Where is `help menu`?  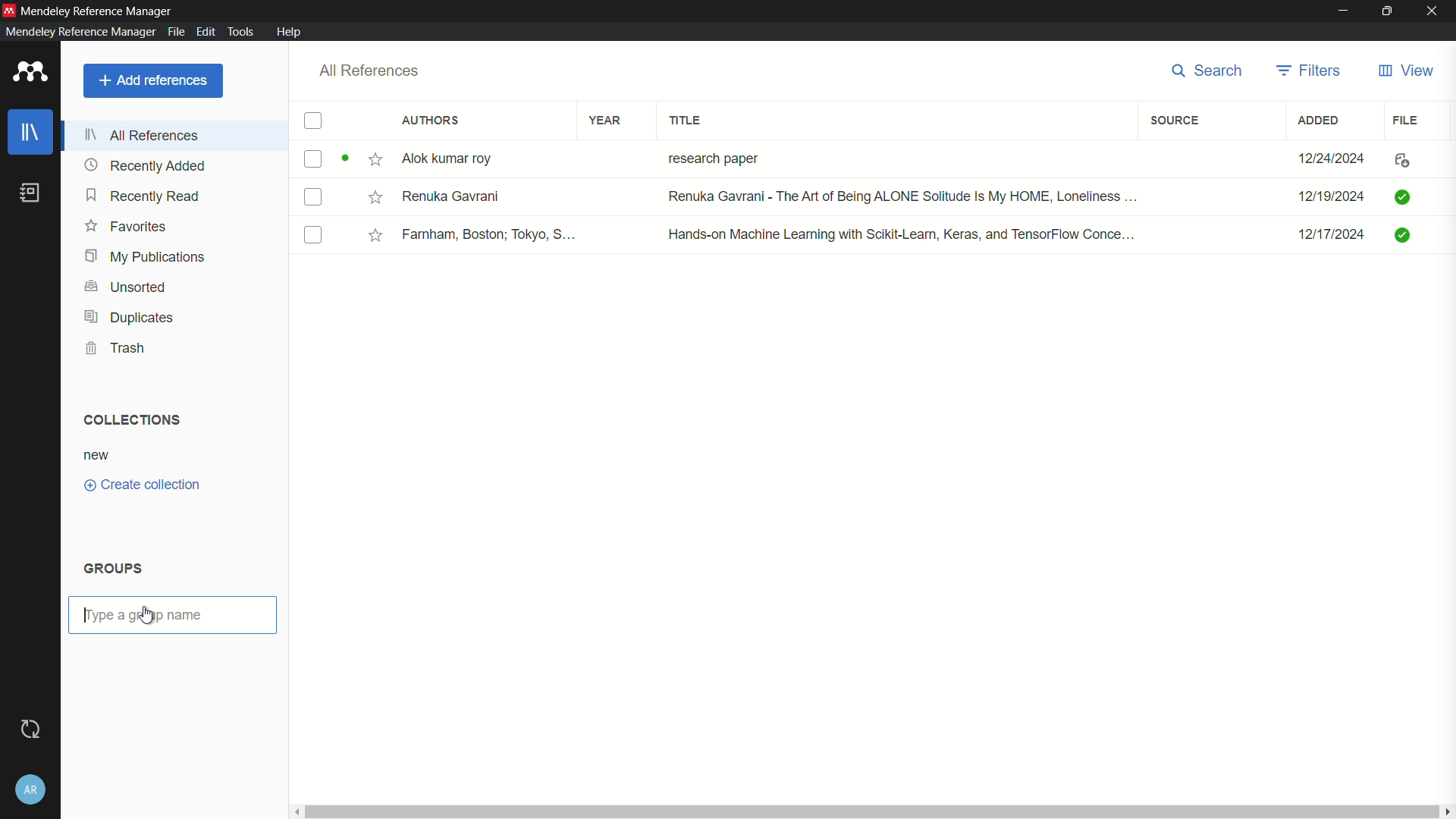 help menu is located at coordinates (290, 32).